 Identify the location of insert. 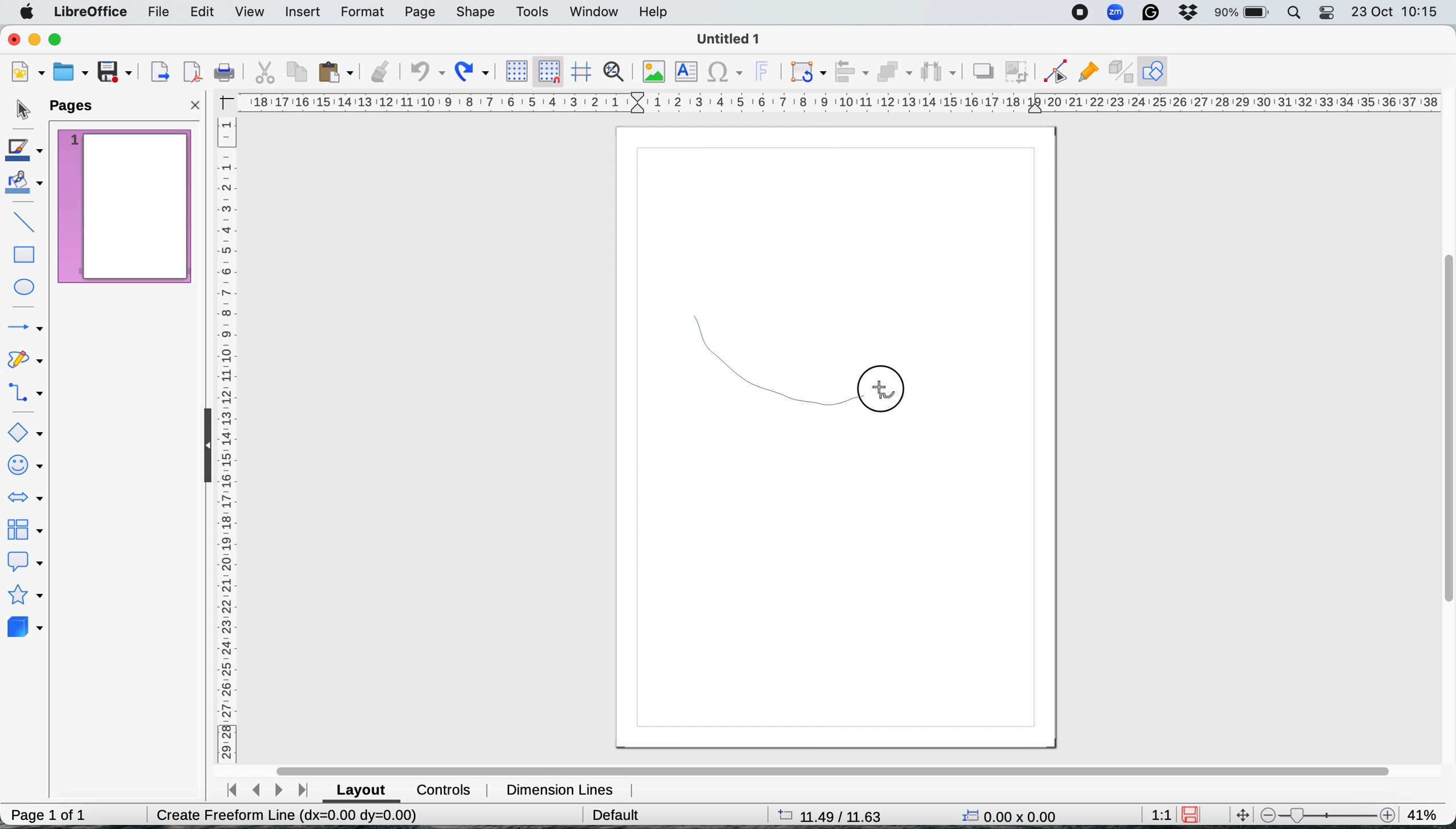
(304, 13).